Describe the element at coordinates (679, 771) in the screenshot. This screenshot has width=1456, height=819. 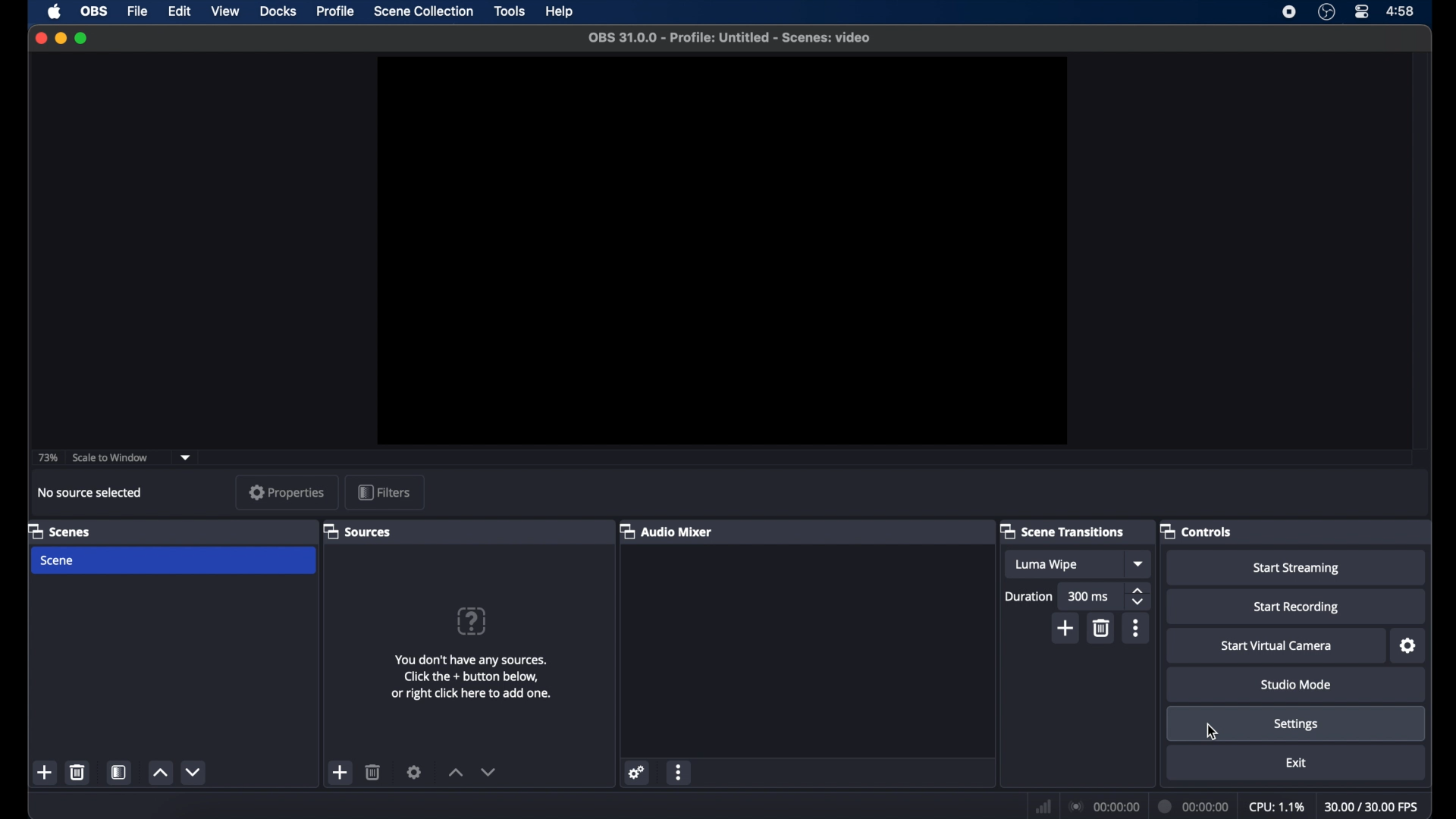
I see `more options` at that location.